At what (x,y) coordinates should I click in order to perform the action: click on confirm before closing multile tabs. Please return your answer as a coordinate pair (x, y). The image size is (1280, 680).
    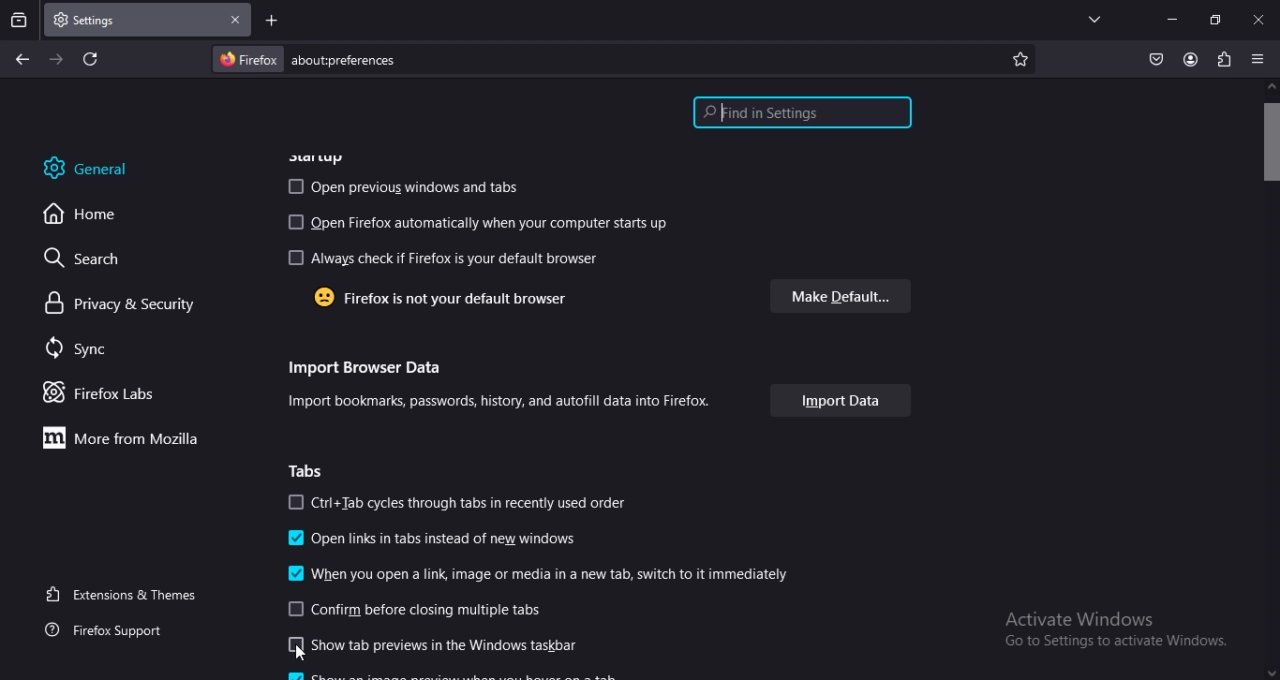
    Looking at the image, I should click on (412, 608).